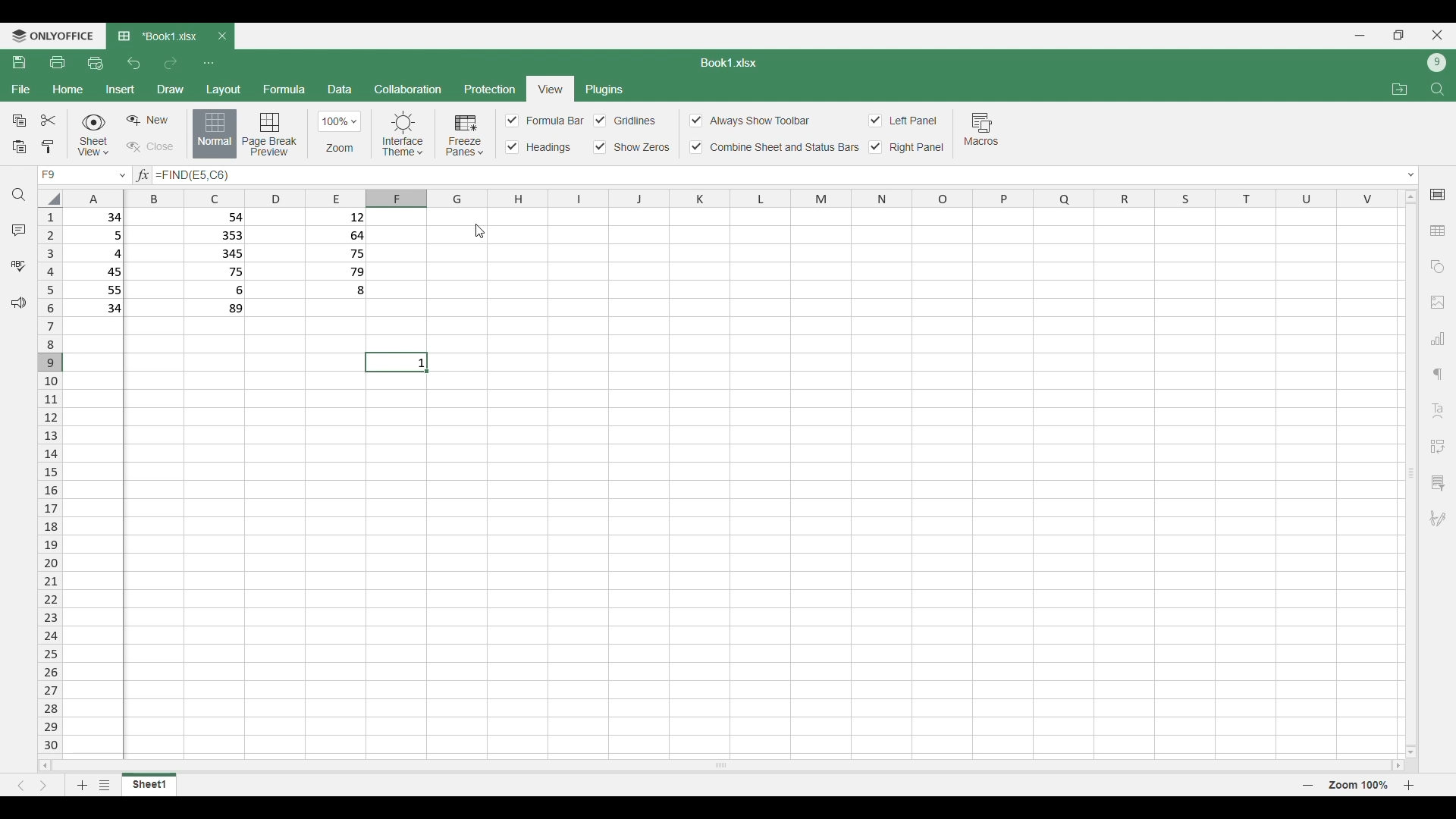 The height and width of the screenshot is (819, 1456). Describe the element at coordinates (19, 121) in the screenshot. I see `Copy` at that location.